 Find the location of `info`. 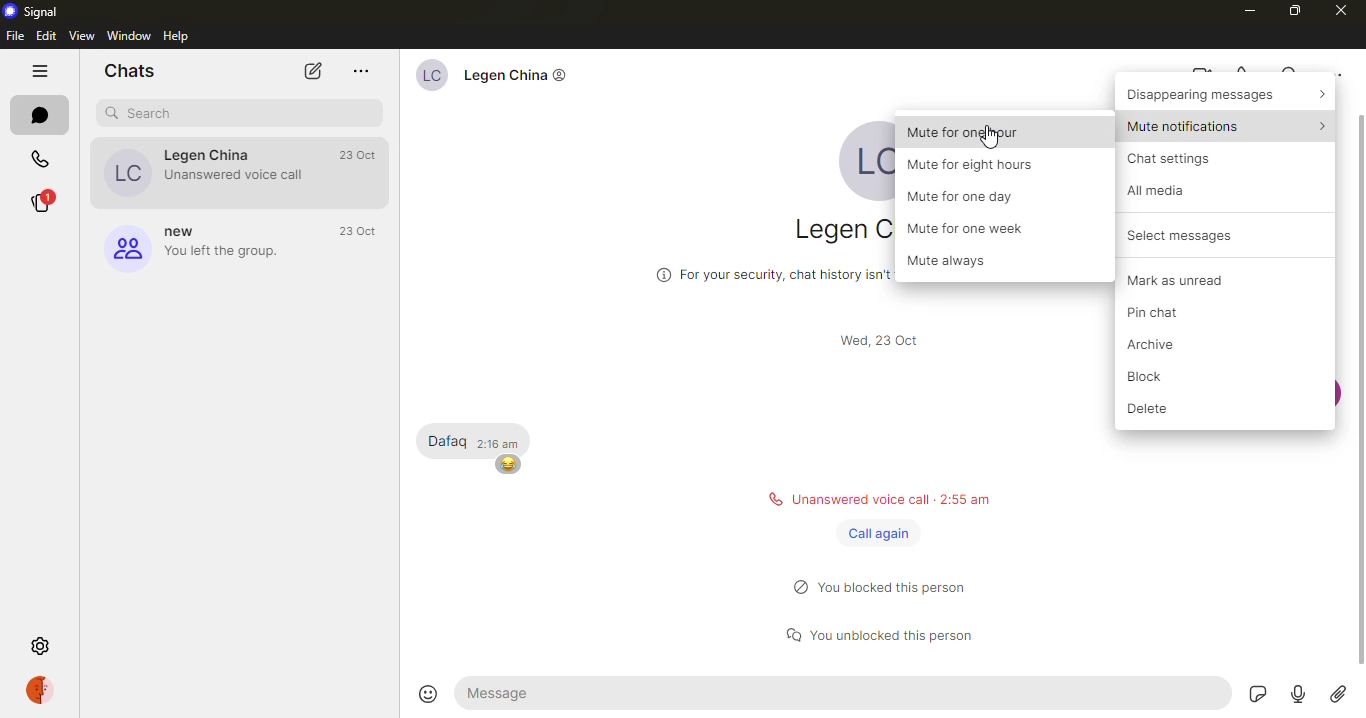

info is located at coordinates (766, 272).